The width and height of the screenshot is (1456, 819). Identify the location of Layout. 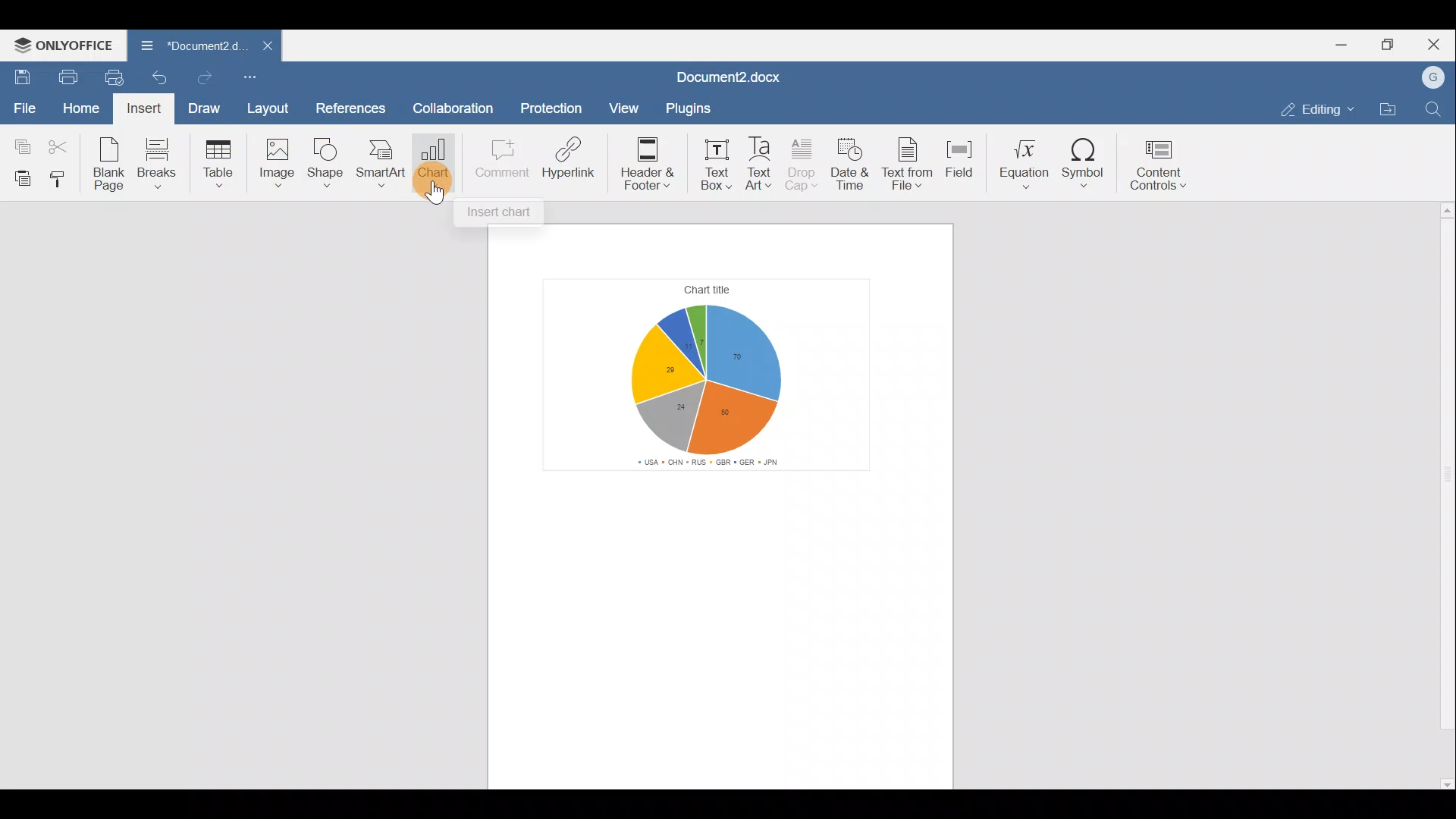
(268, 106).